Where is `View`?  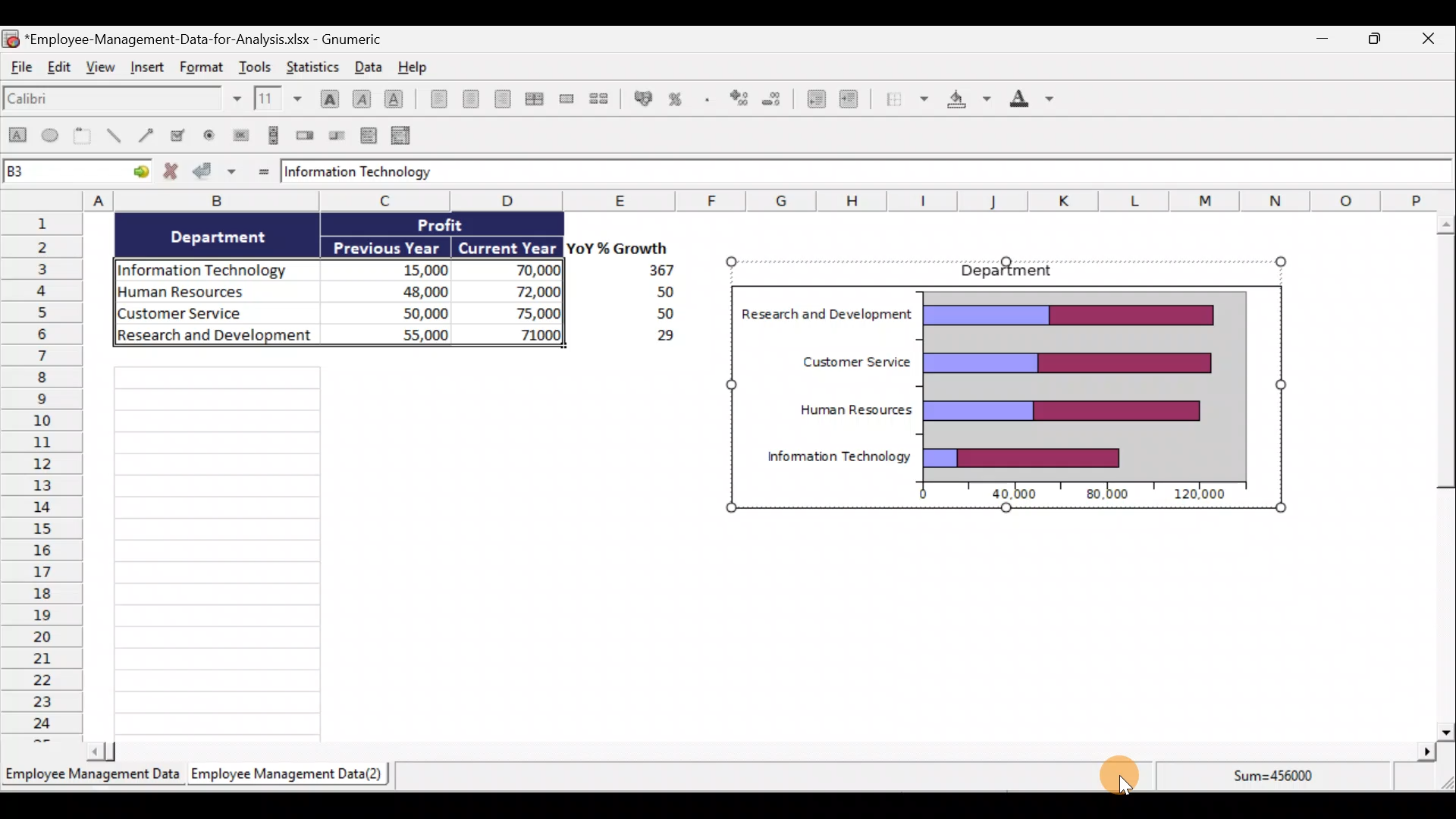
View is located at coordinates (102, 73).